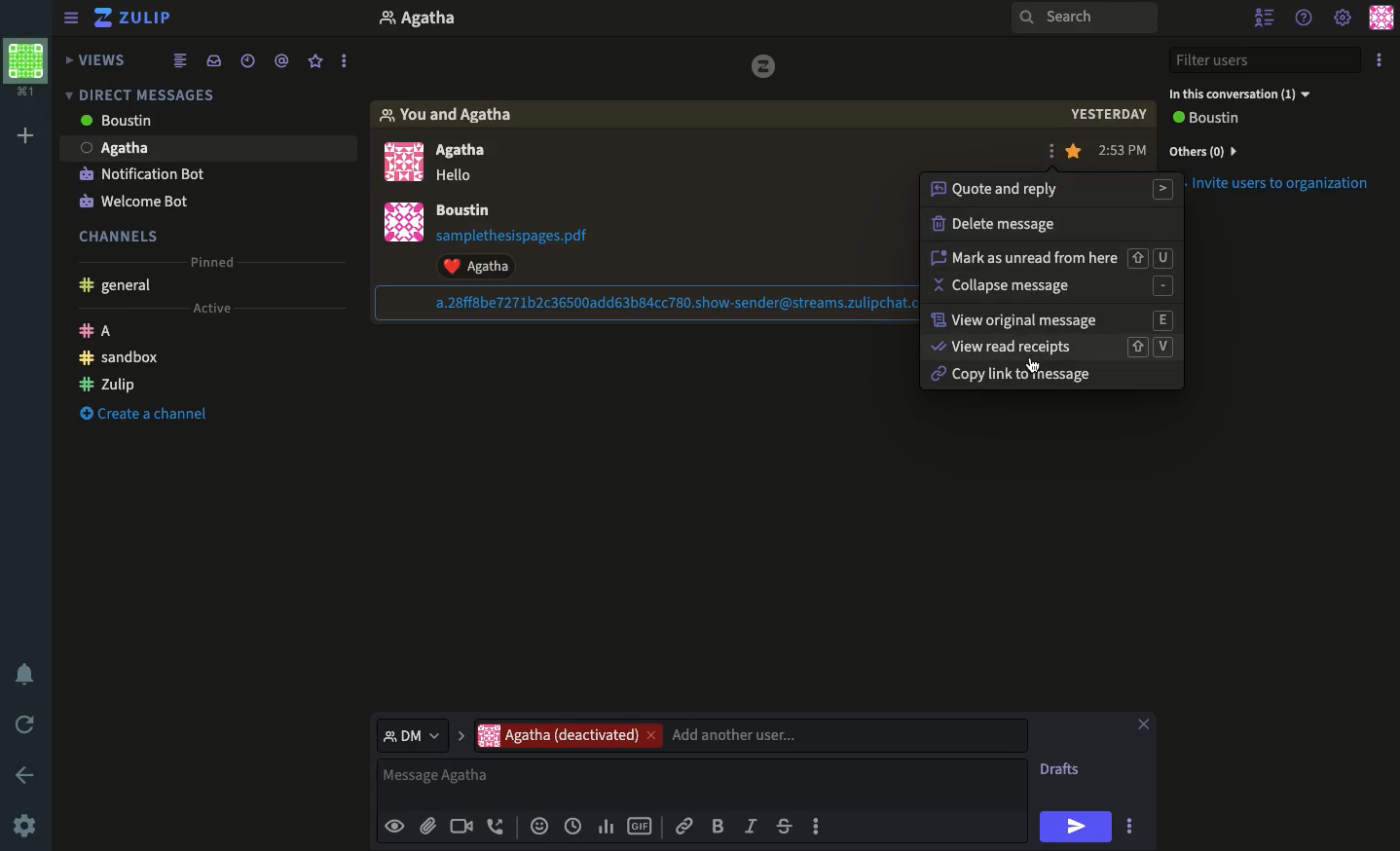  What do you see at coordinates (121, 358) in the screenshot?
I see `Sandbox` at bounding box center [121, 358].